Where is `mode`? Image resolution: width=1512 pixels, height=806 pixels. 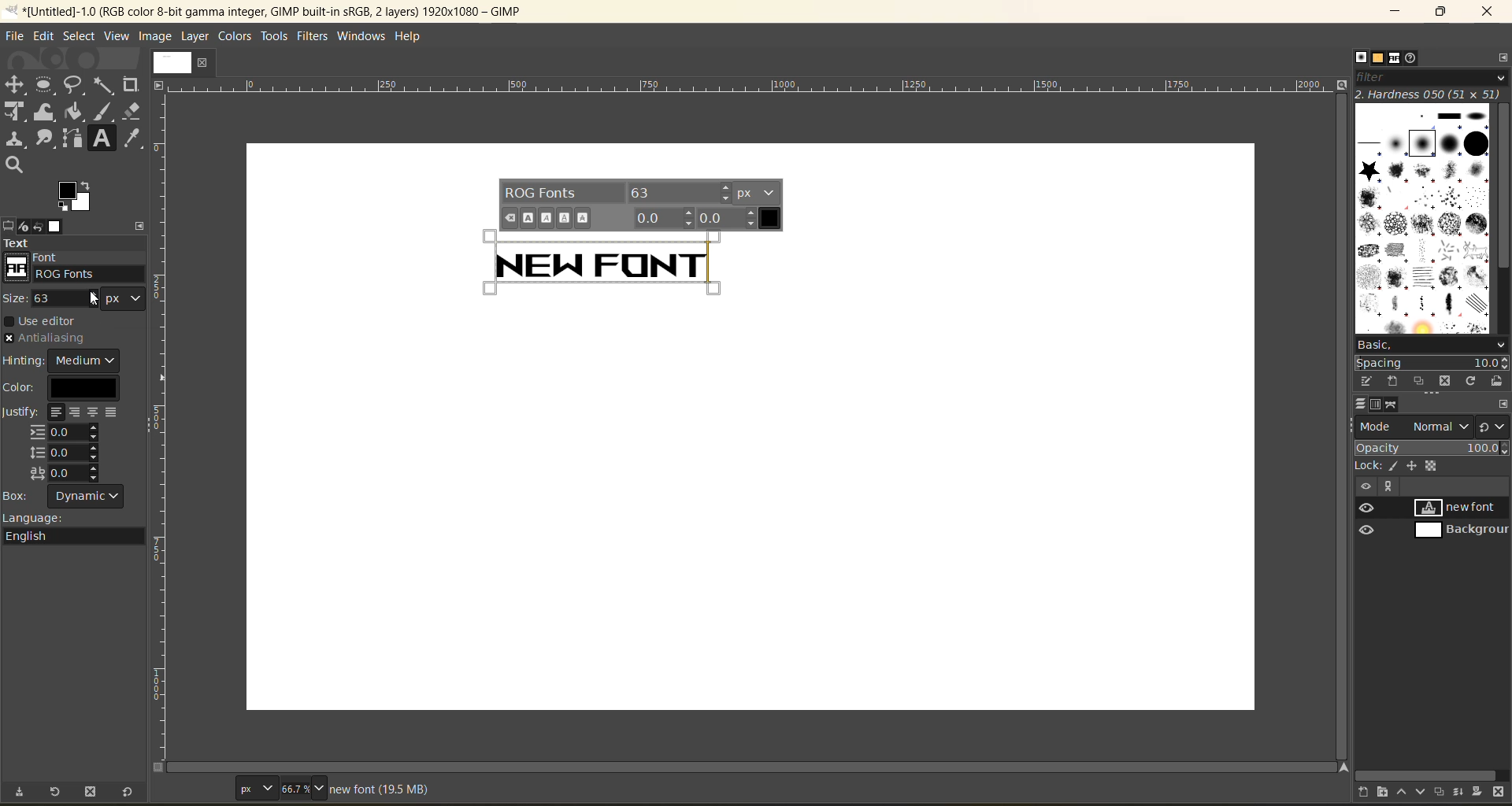
mode is located at coordinates (1412, 427).